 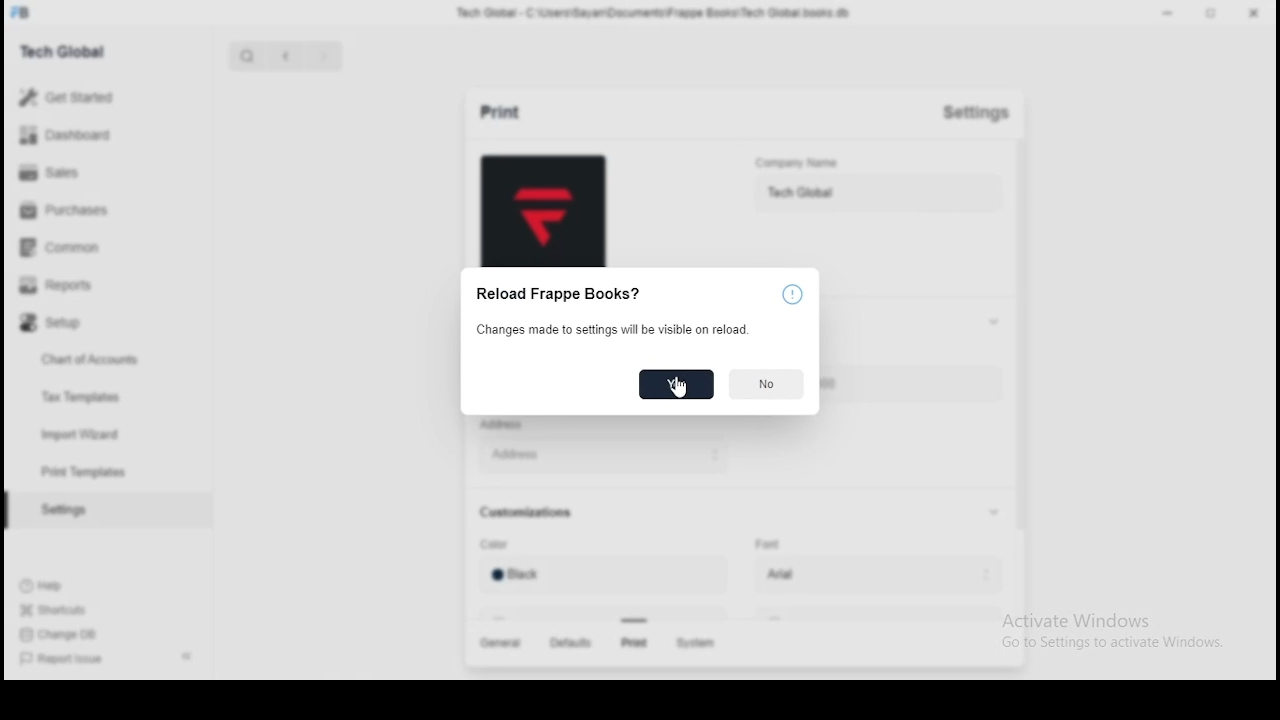 What do you see at coordinates (564, 296) in the screenshot?
I see `Reload Frappe Books?` at bounding box center [564, 296].